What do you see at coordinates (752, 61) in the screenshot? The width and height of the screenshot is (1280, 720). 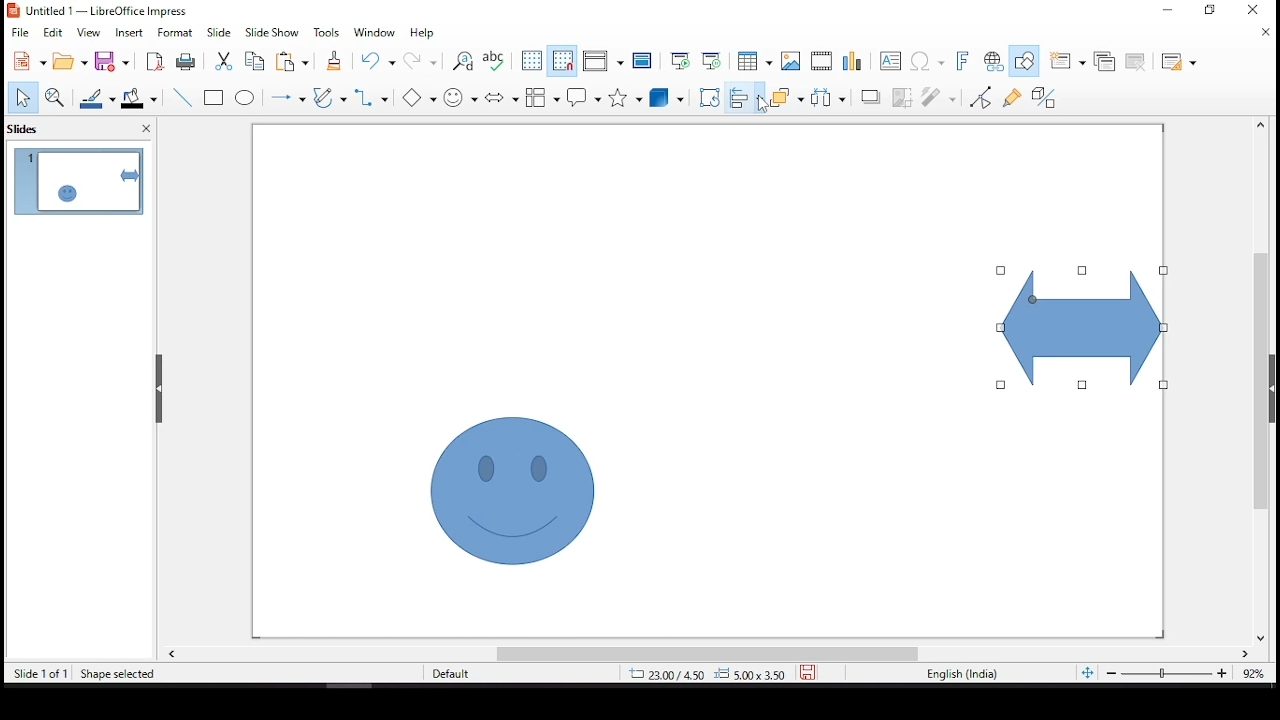 I see `table` at bounding box center [752, 61].